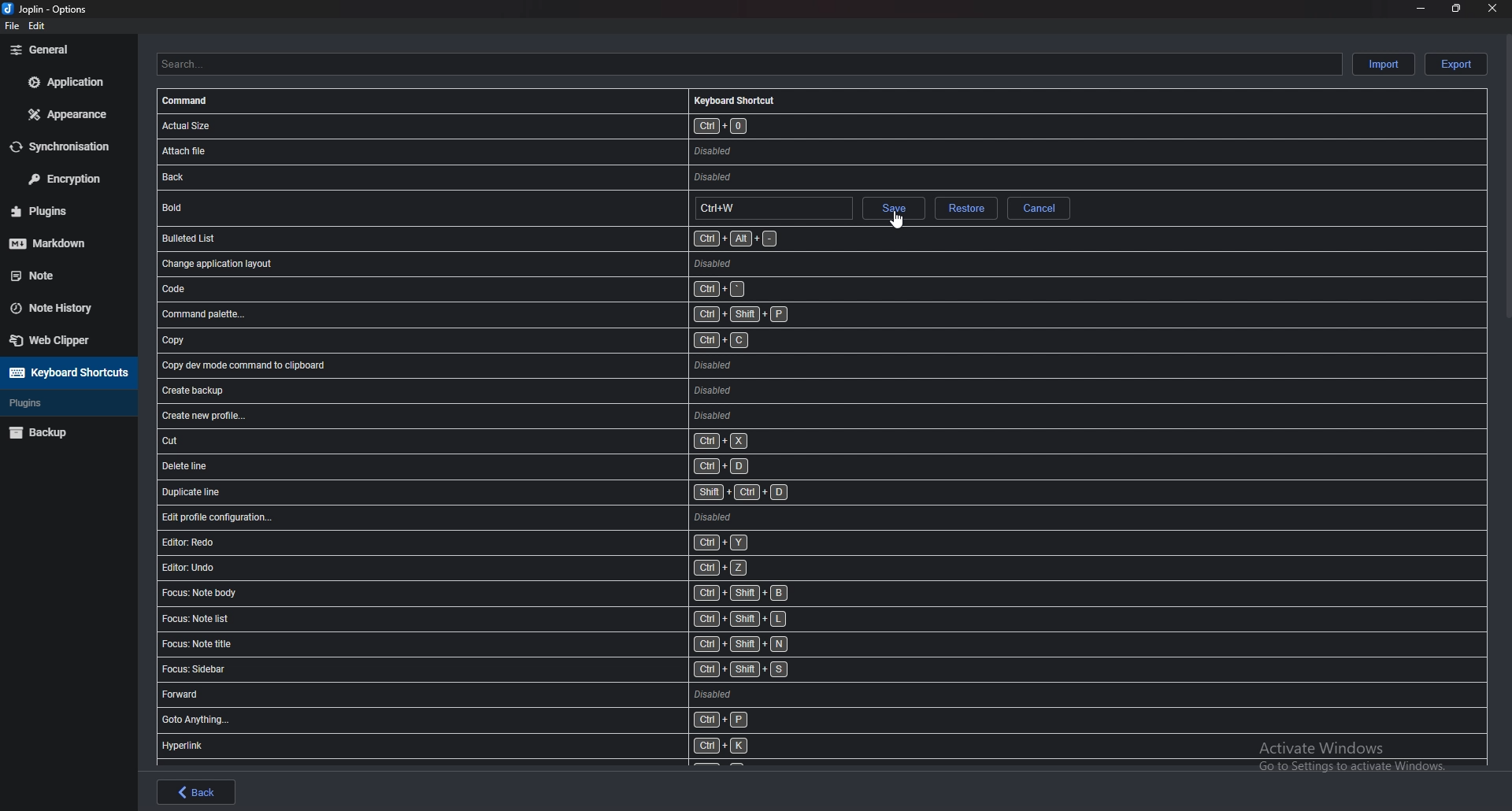  What do you see at coordinates (195, 791) in the screenshot?
I see `back` at bounding box center [195, 791].